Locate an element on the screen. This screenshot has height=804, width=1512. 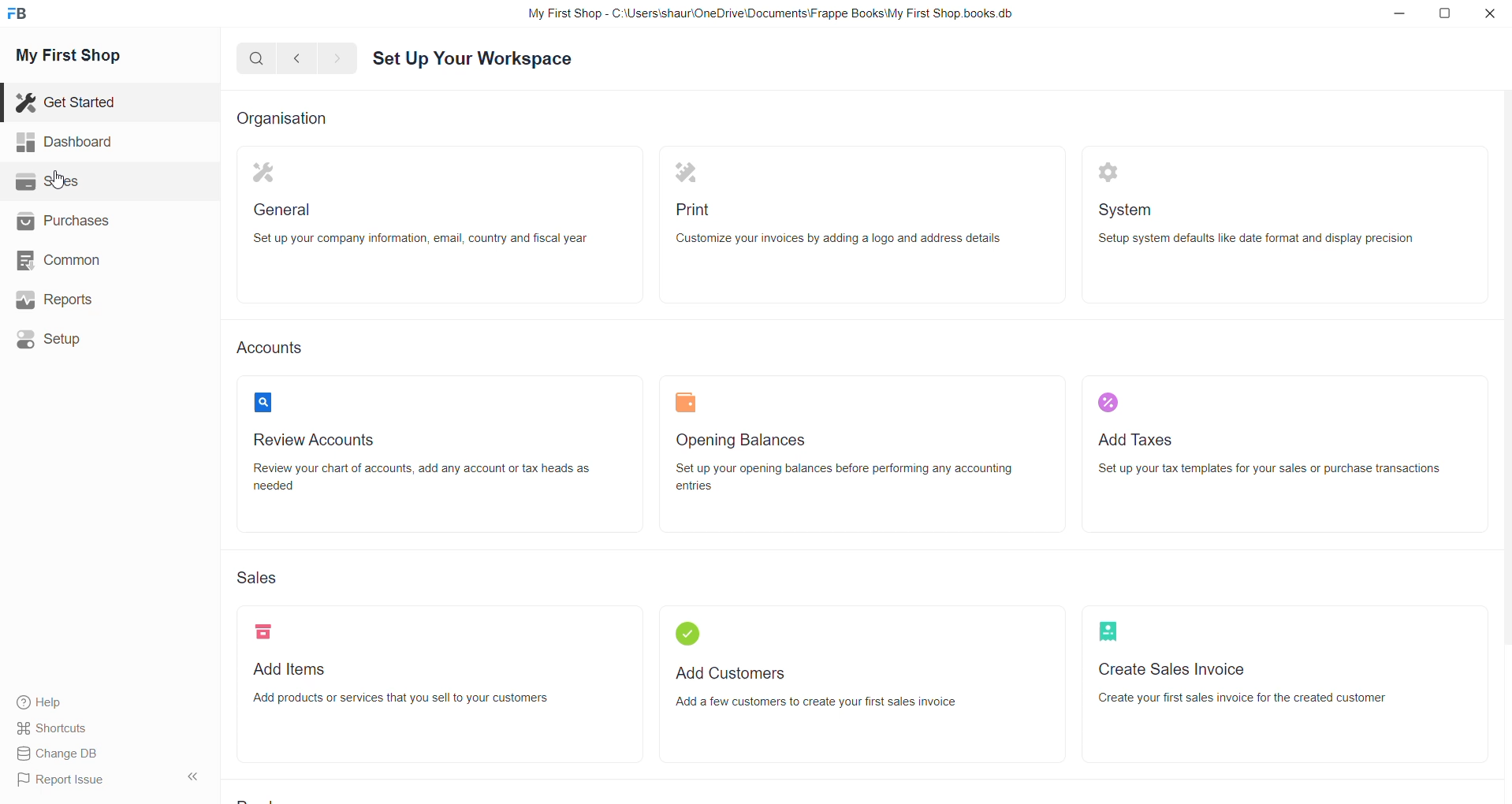
Review Account is located at coordinates (427, 457).